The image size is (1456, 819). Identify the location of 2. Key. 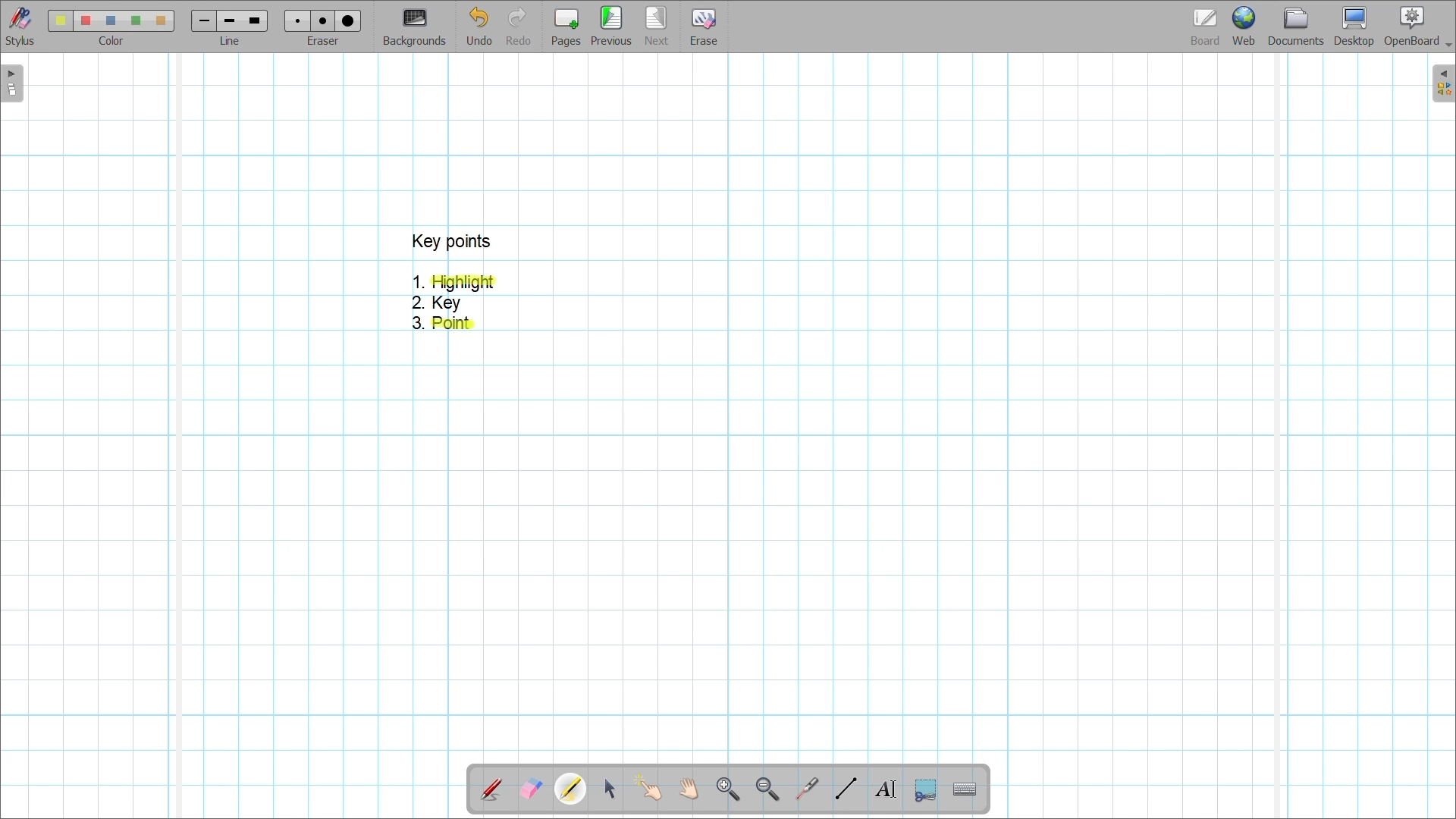
(438, 303).